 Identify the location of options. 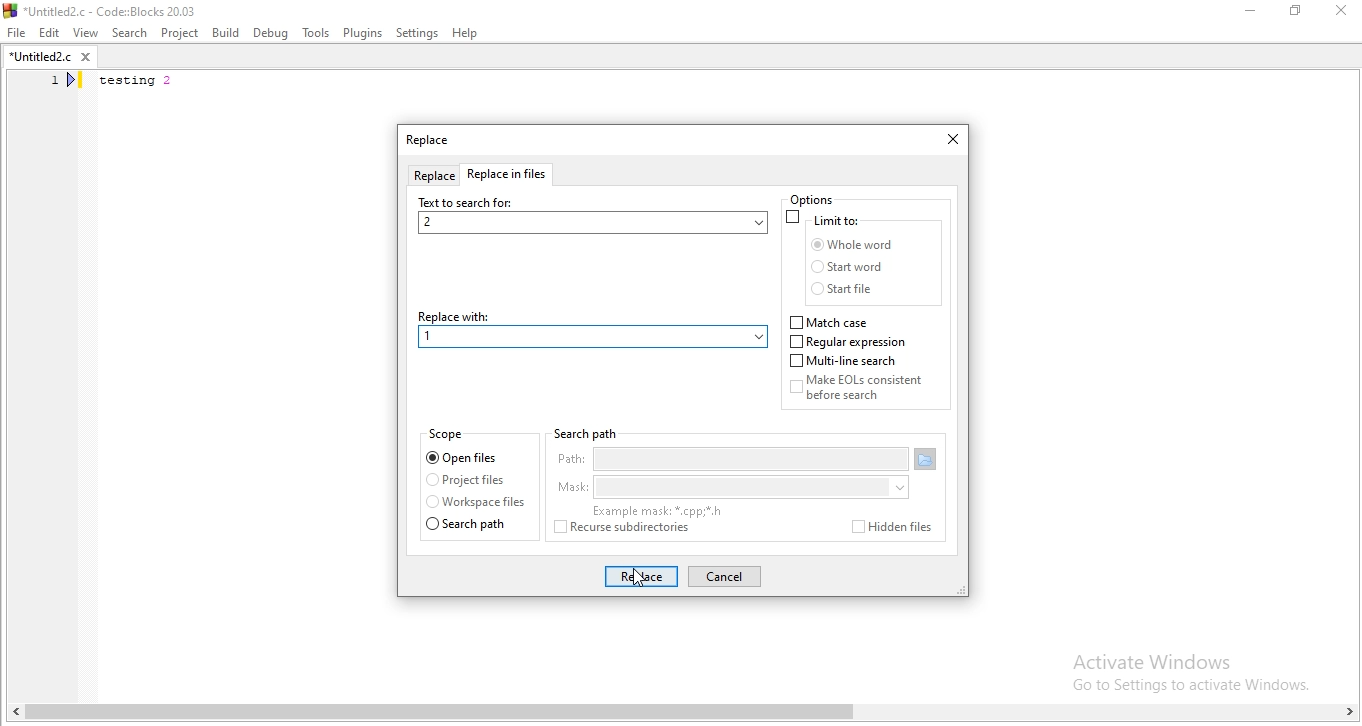
(824, 199).